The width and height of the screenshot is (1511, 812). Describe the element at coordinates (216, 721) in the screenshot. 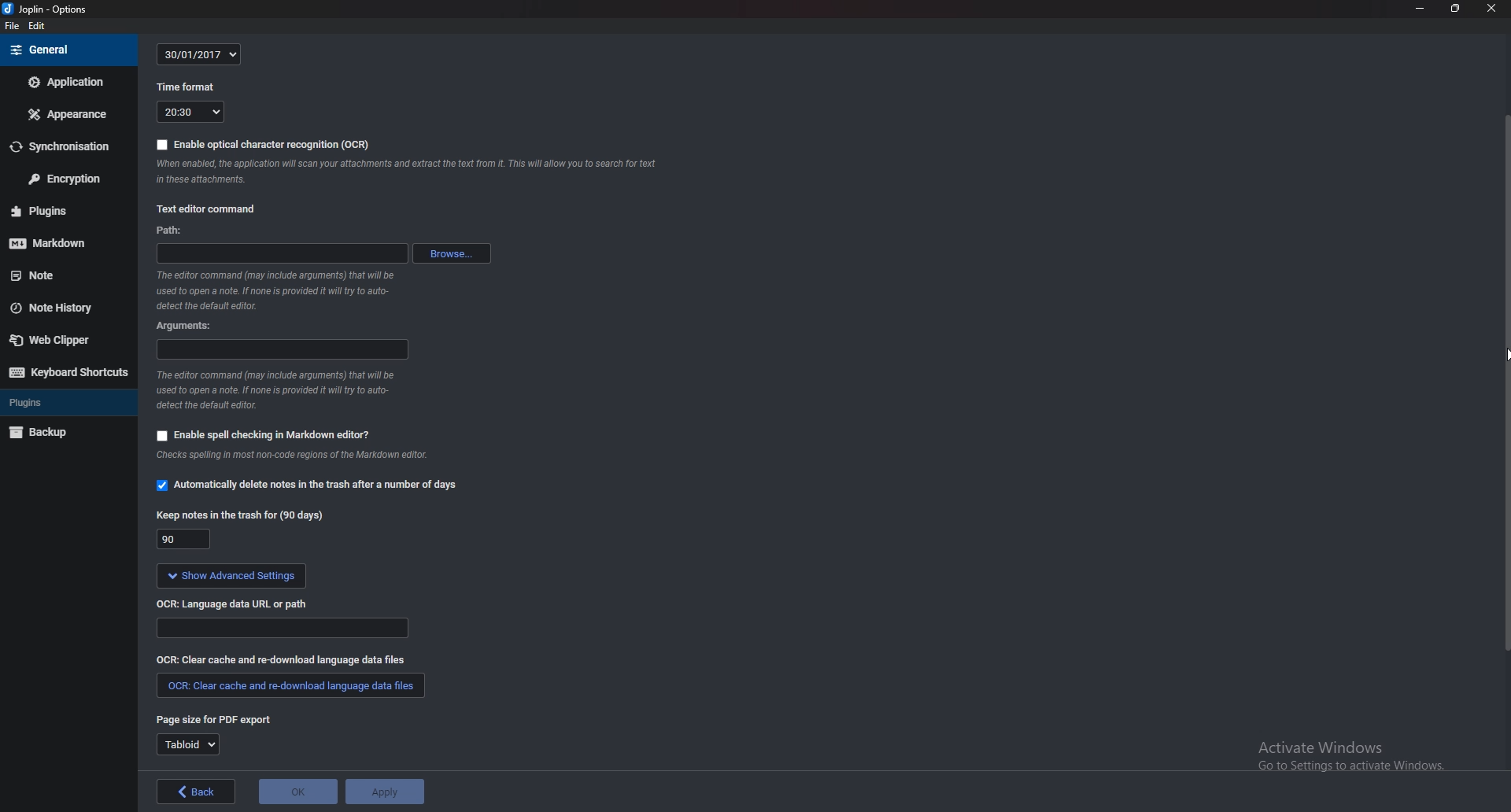

I see `page size for P D F export` at that location.